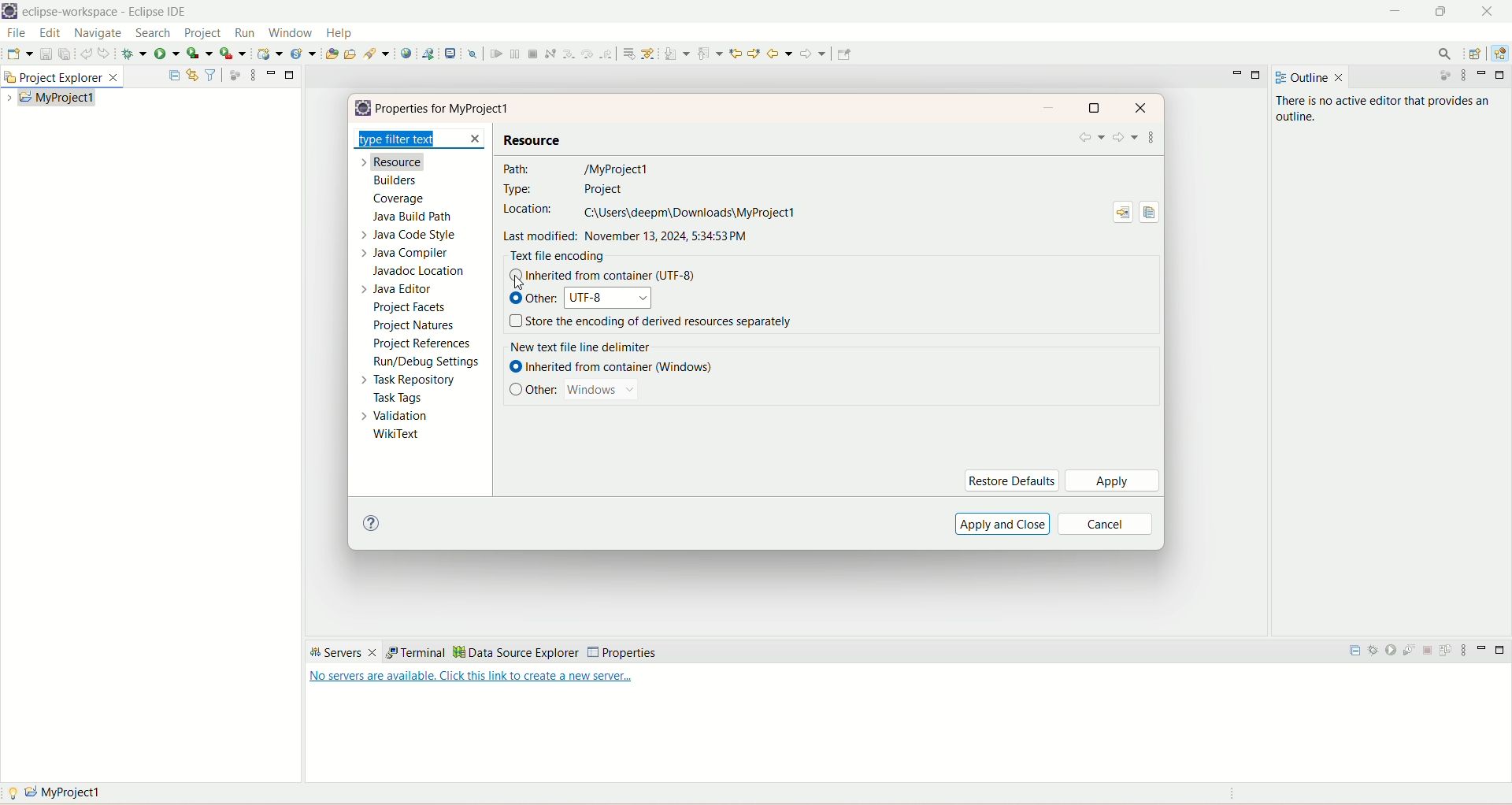  I want to click on minimize, so click(291, 74).